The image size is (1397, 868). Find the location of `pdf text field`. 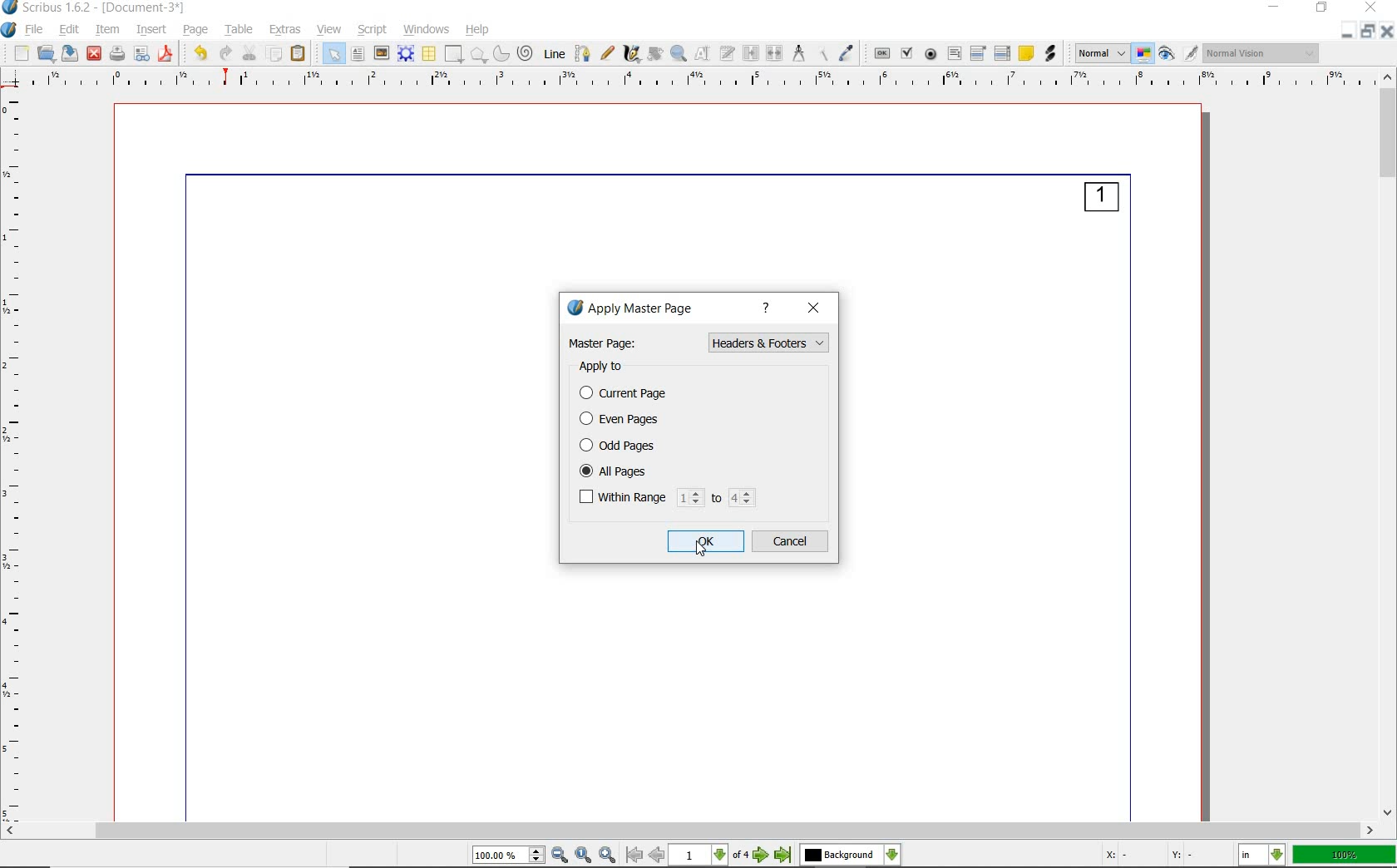

pdf text field is located at coordinates (953, 52).